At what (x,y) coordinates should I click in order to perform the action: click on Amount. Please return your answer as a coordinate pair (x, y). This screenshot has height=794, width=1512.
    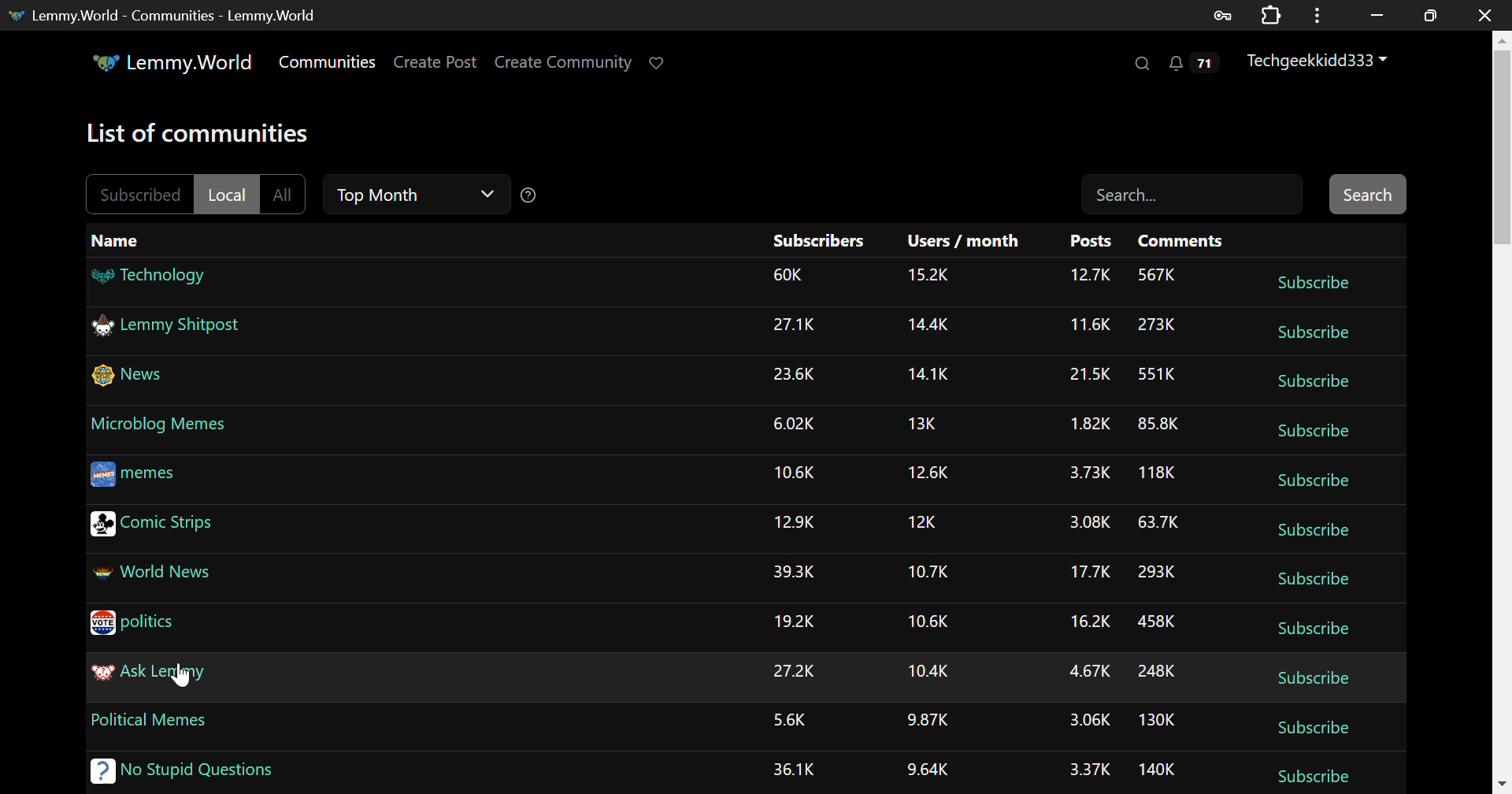
    Looking at the image, I should click on (1091, 276).